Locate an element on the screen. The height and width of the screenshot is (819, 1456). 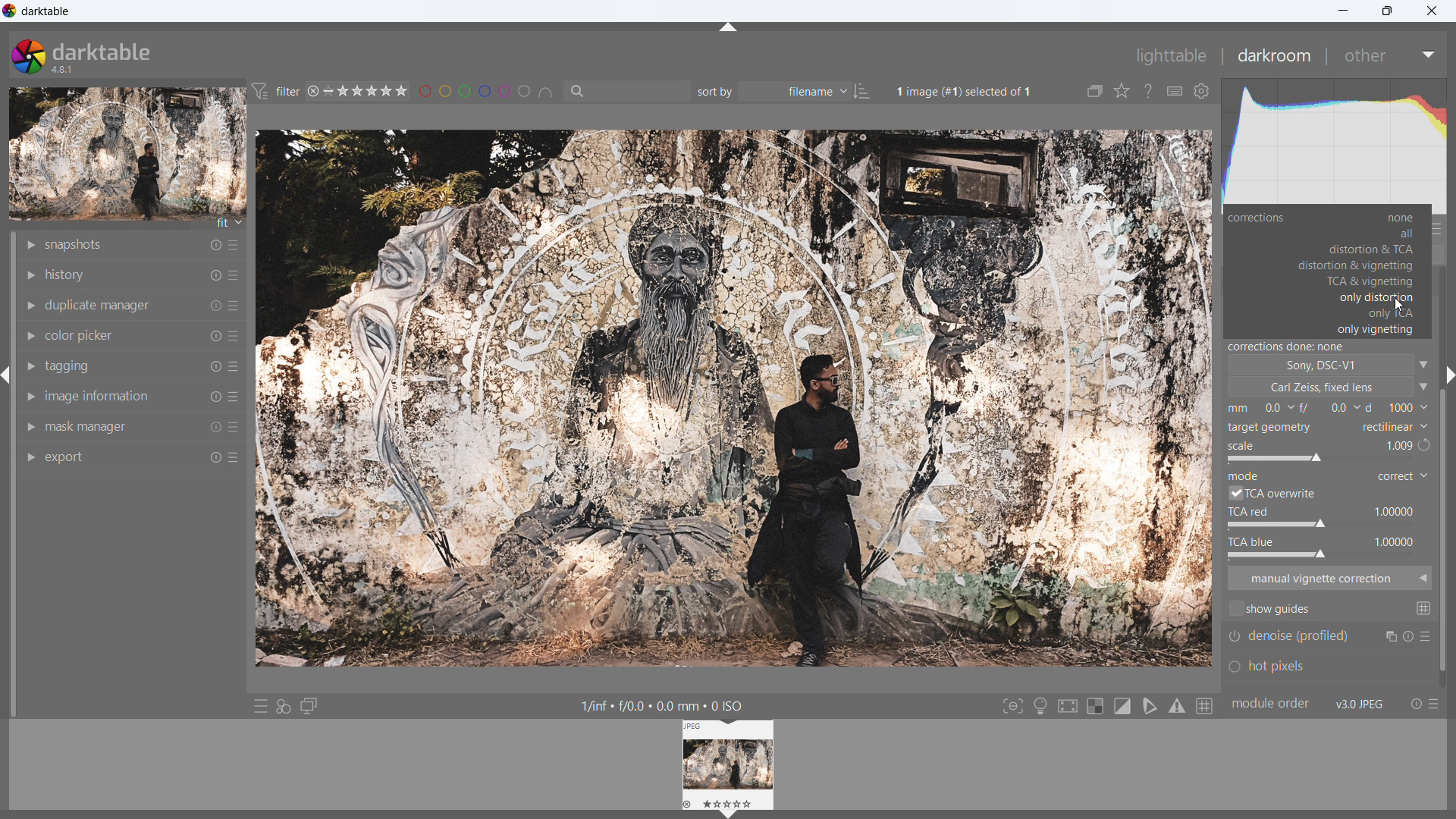
target geometry is located at coordinates (1272, 427).